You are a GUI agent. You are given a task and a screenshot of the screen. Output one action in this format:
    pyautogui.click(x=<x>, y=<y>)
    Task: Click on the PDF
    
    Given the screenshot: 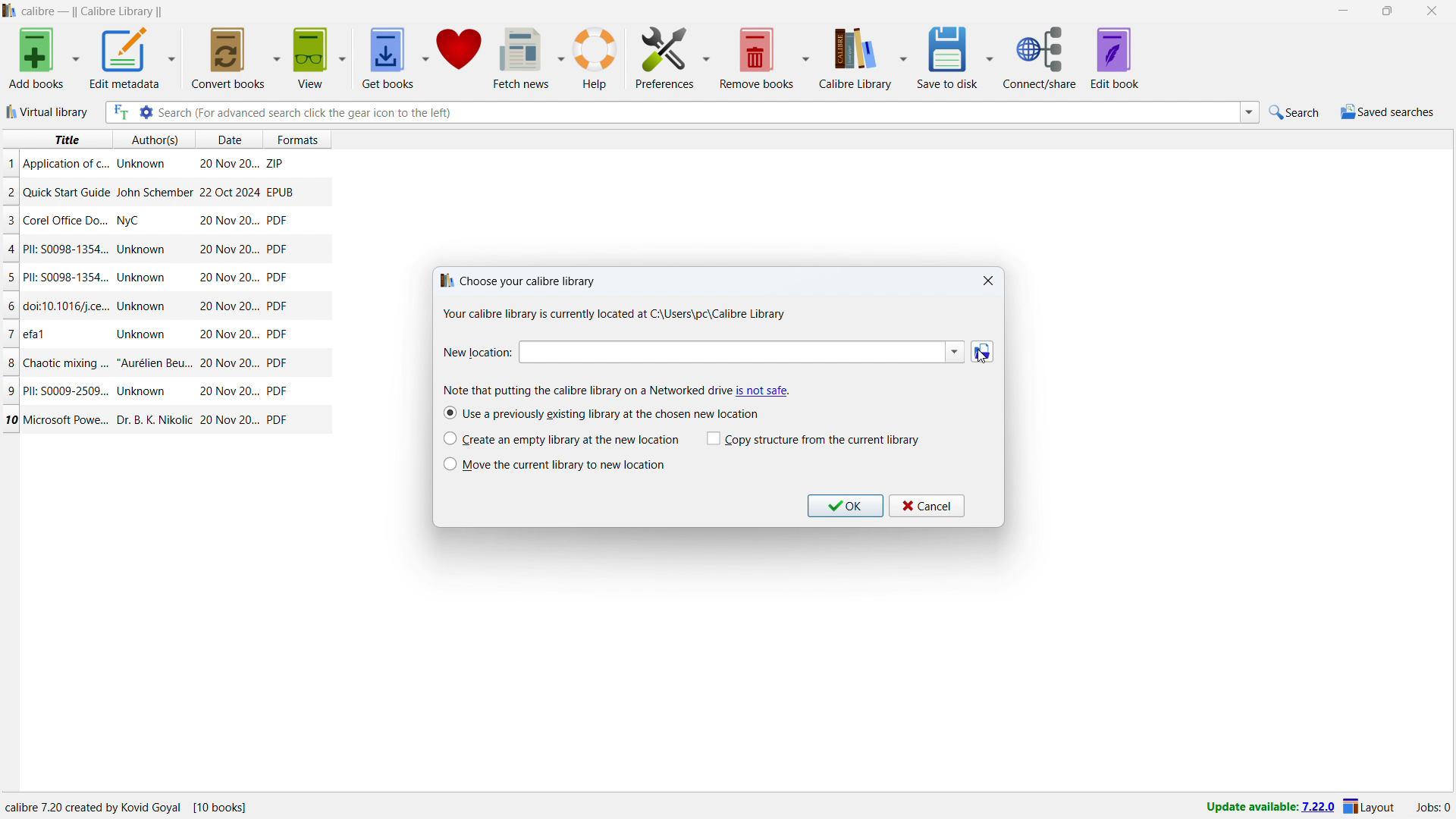 What is the action you would take?
    pyautogui.click(x=278, y=419)
    